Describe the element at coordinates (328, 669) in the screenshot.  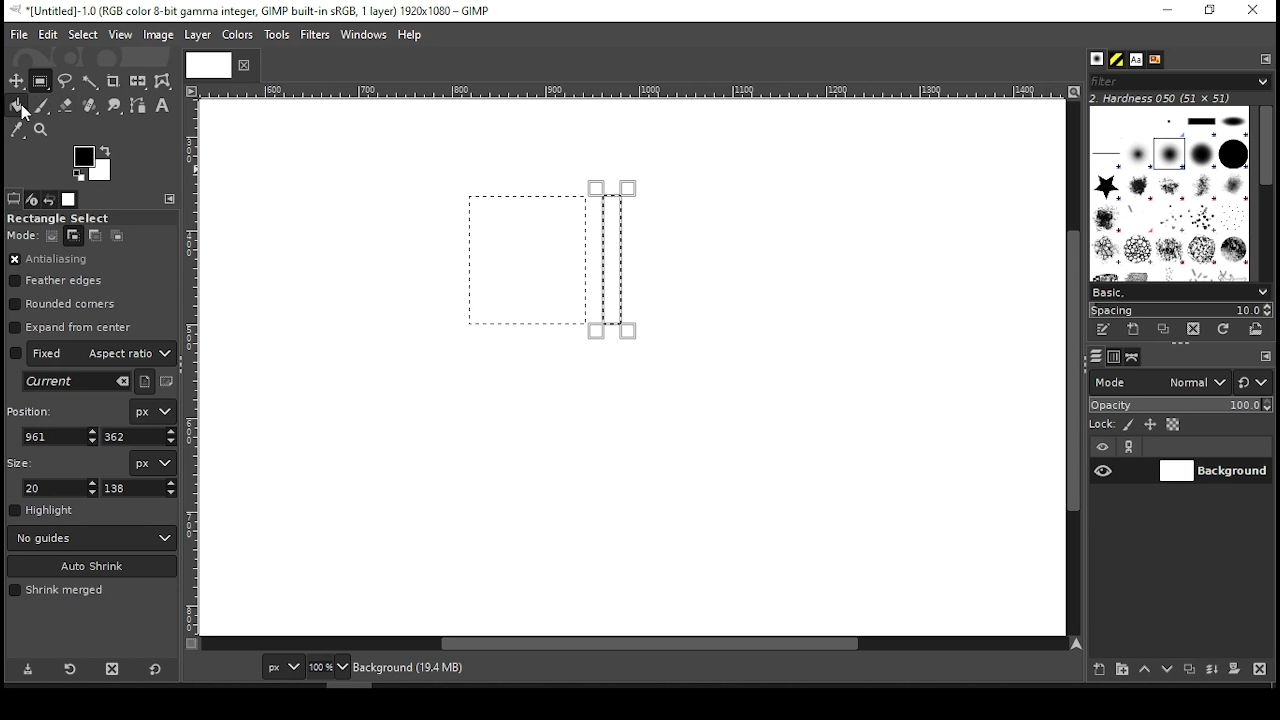
I see `zoom level` at that location.